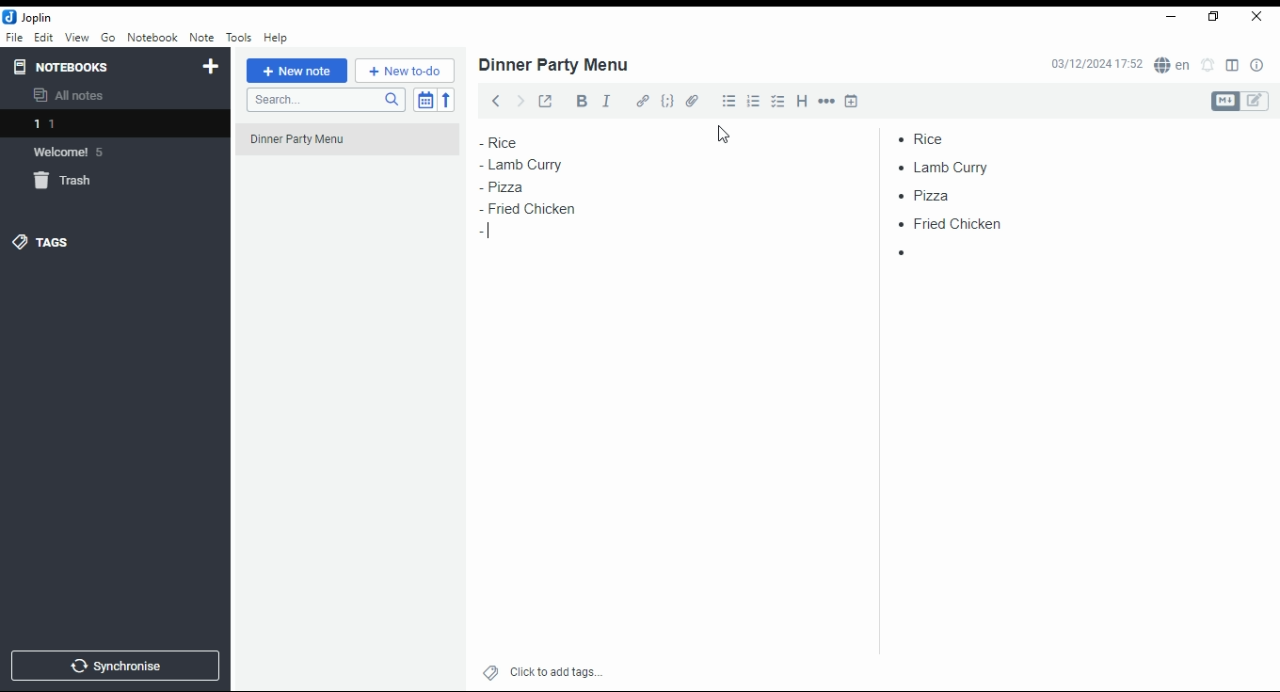  I want to click on dinner party menu, so click(555, 65).